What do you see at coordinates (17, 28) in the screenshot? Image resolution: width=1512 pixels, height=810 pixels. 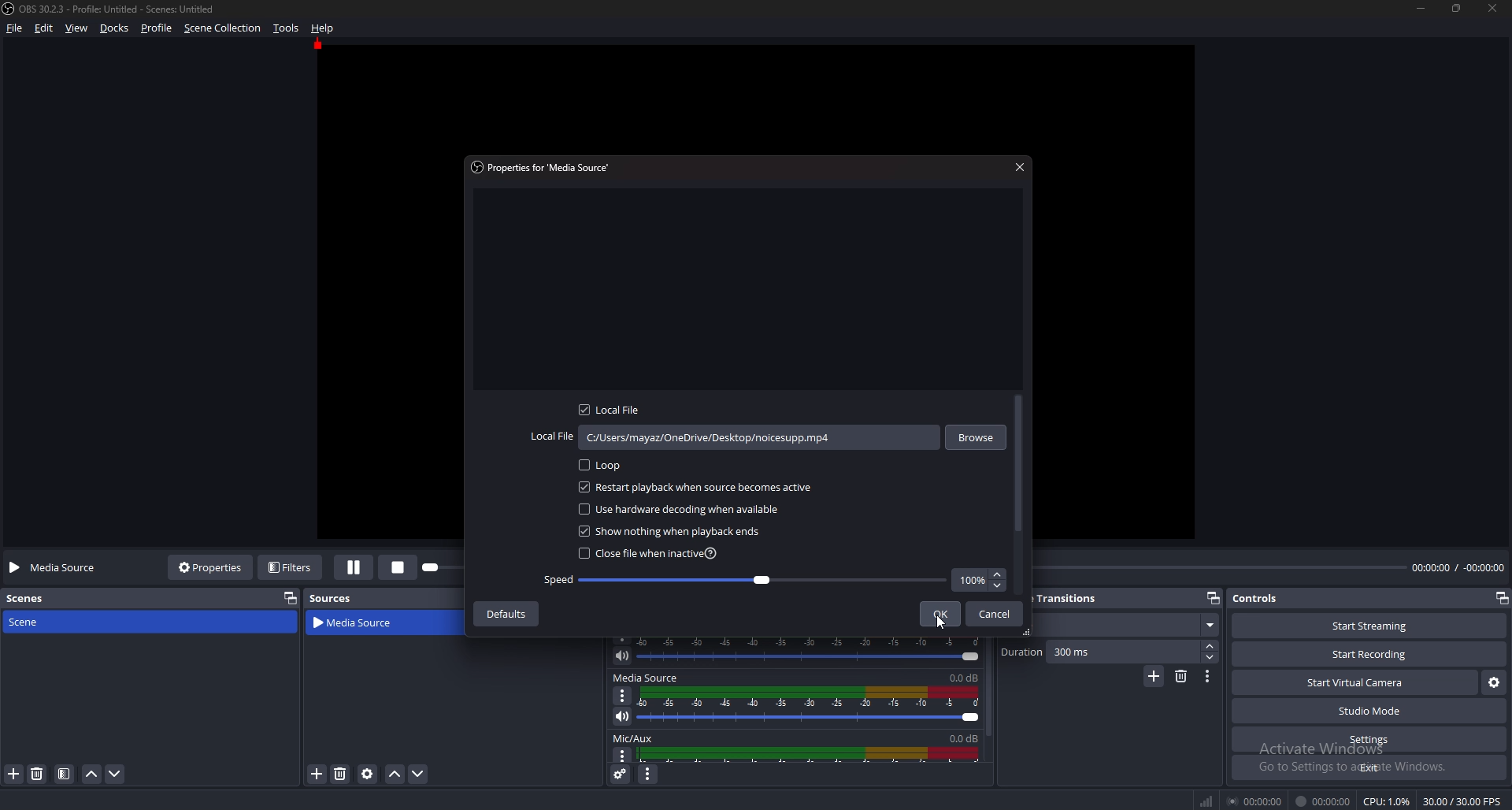 I see `File` at bounding box center [17, 28].